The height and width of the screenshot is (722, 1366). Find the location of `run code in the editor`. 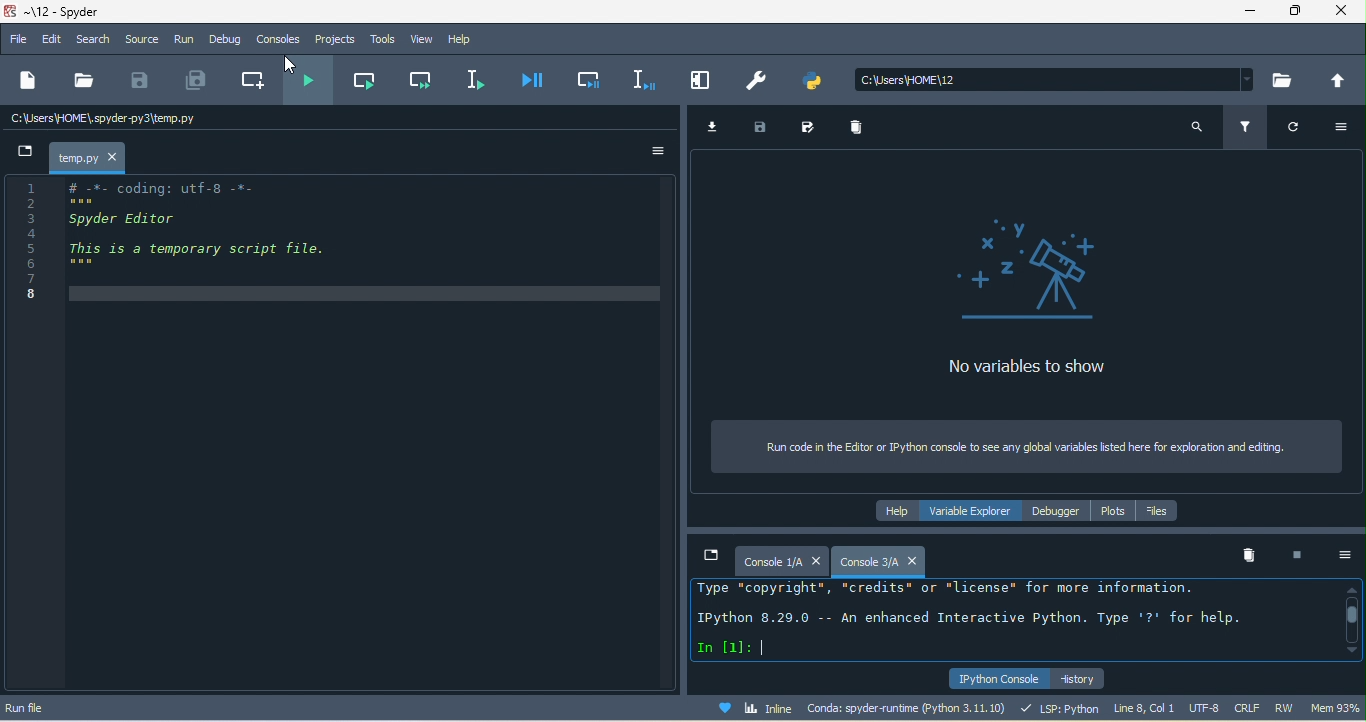

run code in the editor is located at coordinates (1029, 448).